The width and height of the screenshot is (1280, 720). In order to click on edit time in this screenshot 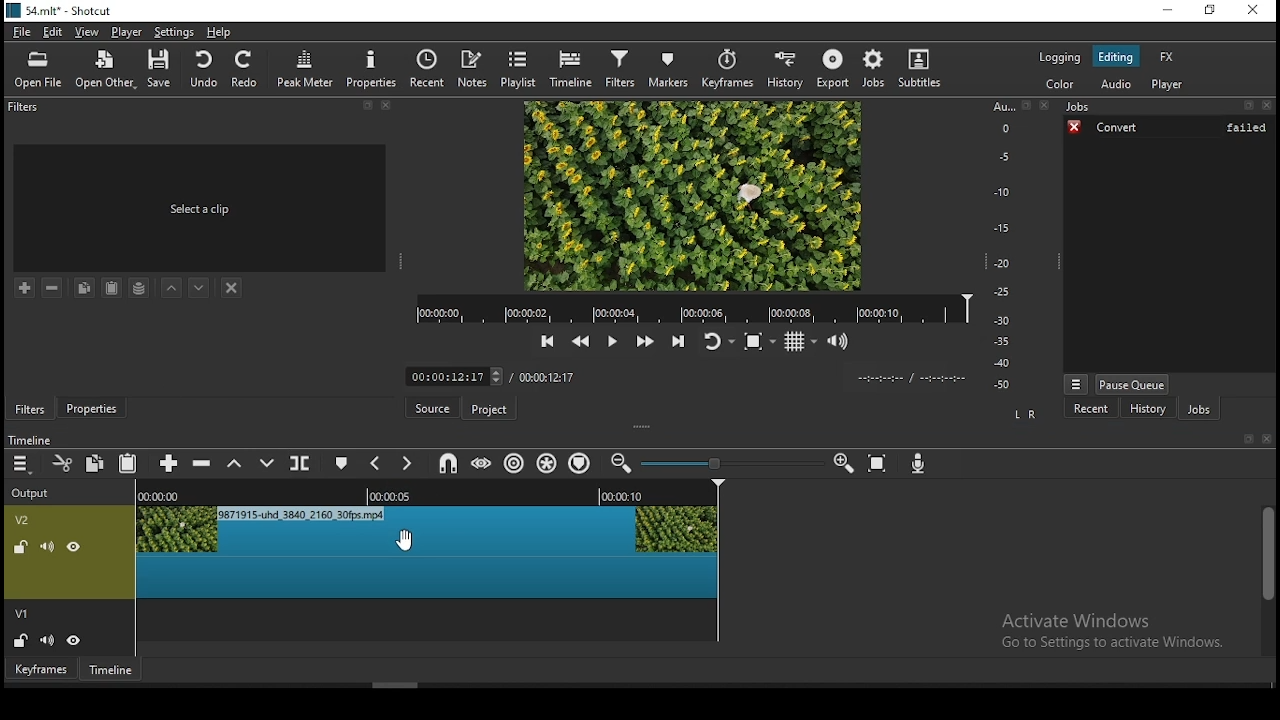, I will do `click(455, 376)`.